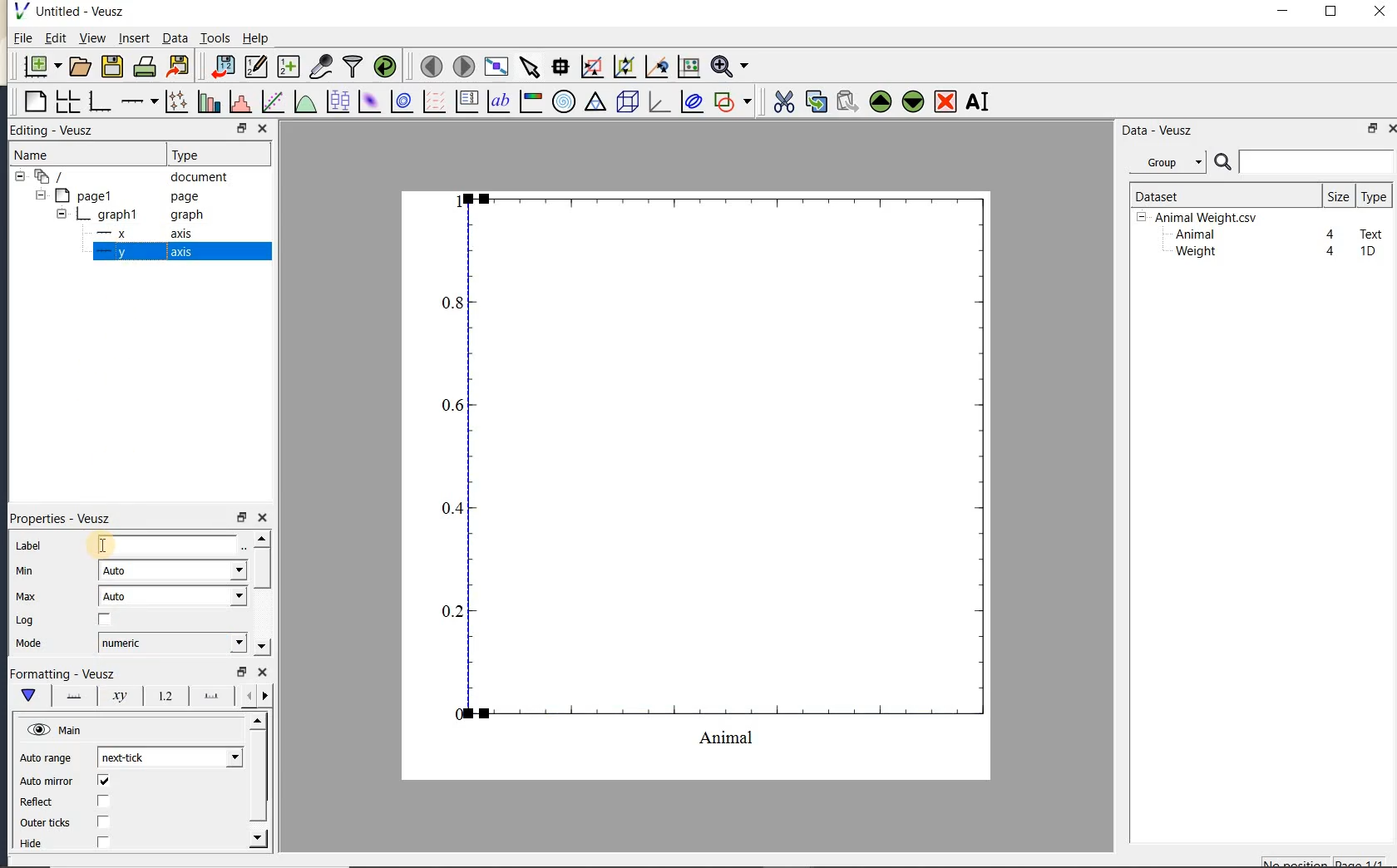 The width and height of the screenshot is (1397, 868). I want to click on check/uncheck, so click(103, 781).